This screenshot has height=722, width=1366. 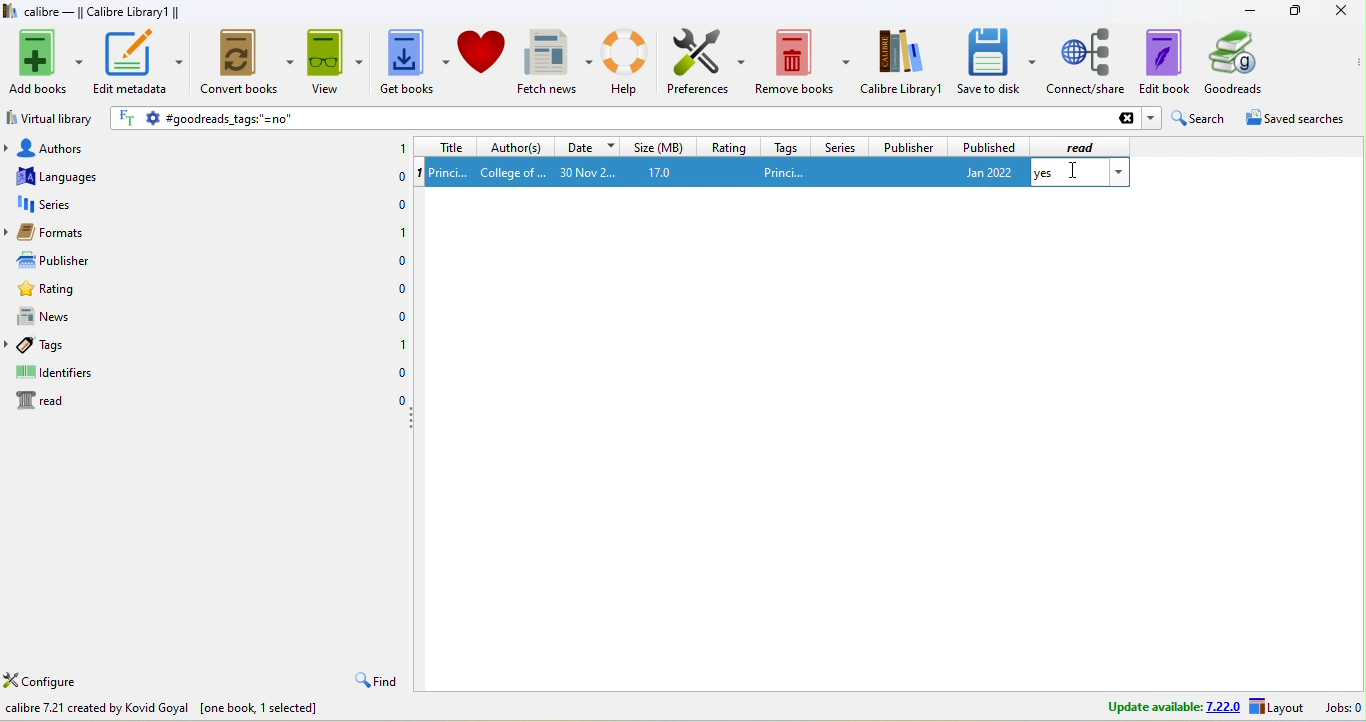 What do you see at coordinates (1339, 11) in the screenshot?
I see `close` at bounding box center [1339, 11].